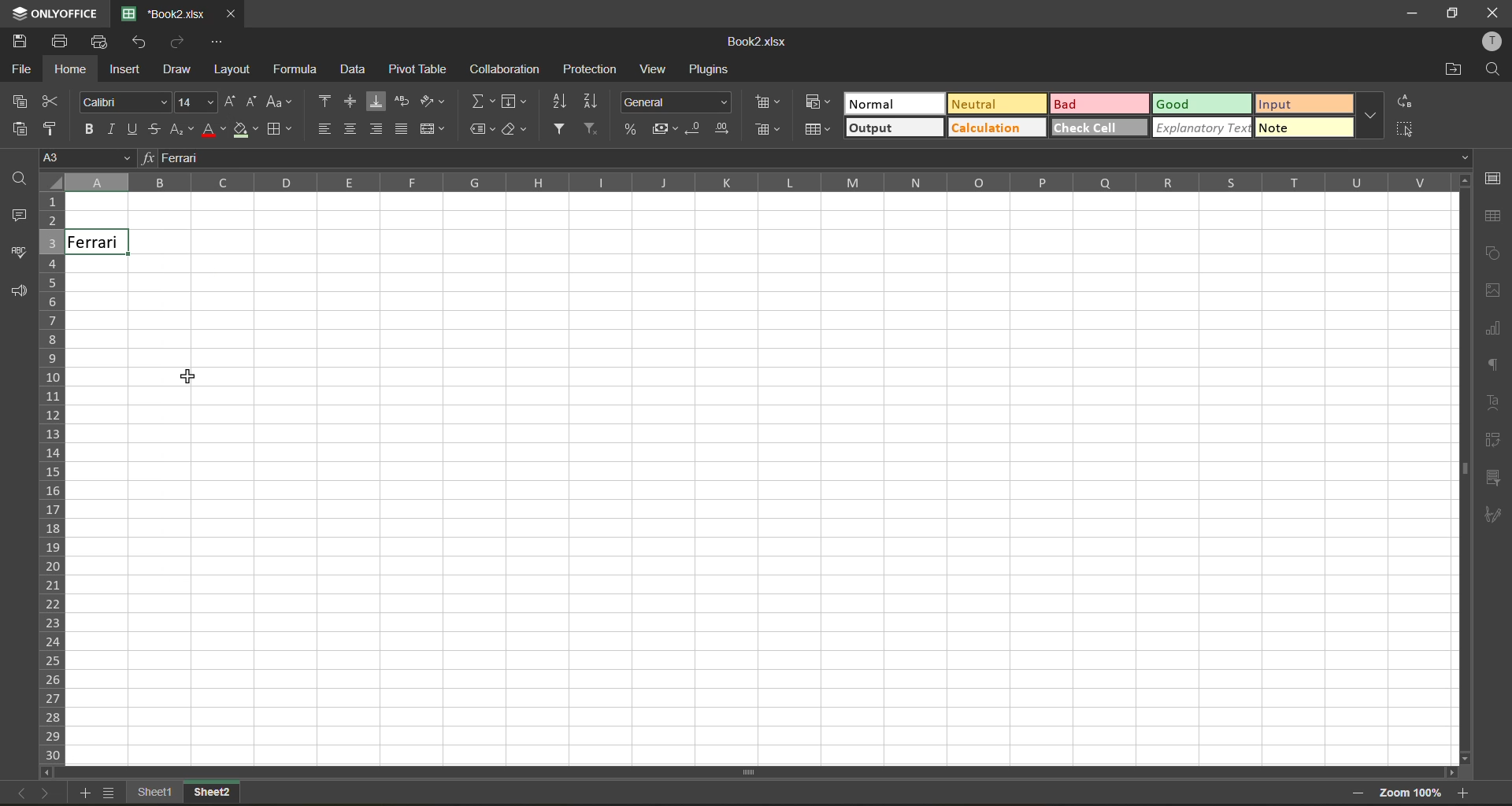 Image resolution: width=1512 pixels, height=806 pixels. What do you see at coordinates (1464, 792) in the screenshot?
I see `zoom in` at bounding box center [1464, 792].